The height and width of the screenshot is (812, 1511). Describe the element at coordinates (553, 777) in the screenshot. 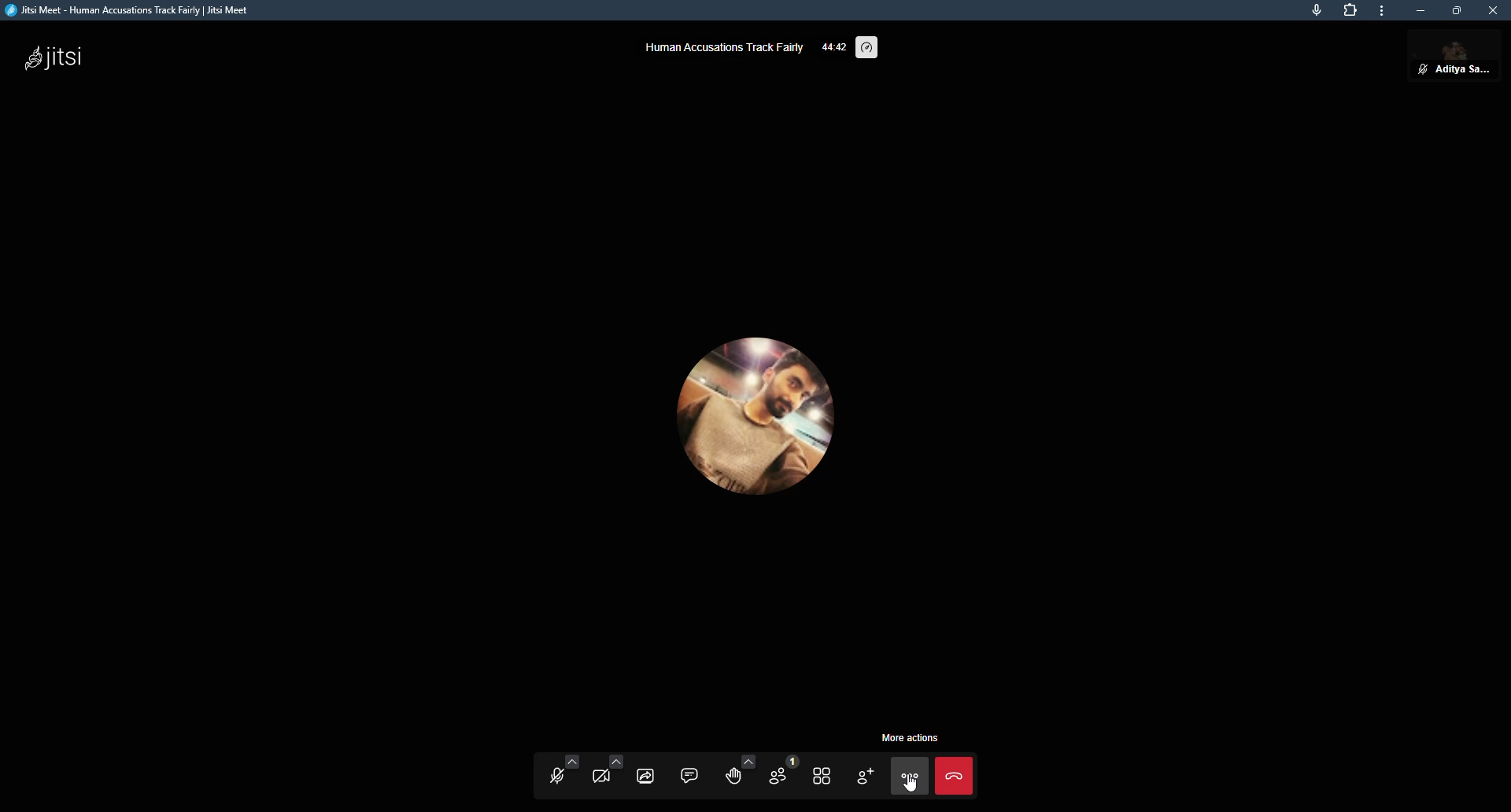

I see `start mic` at that location.